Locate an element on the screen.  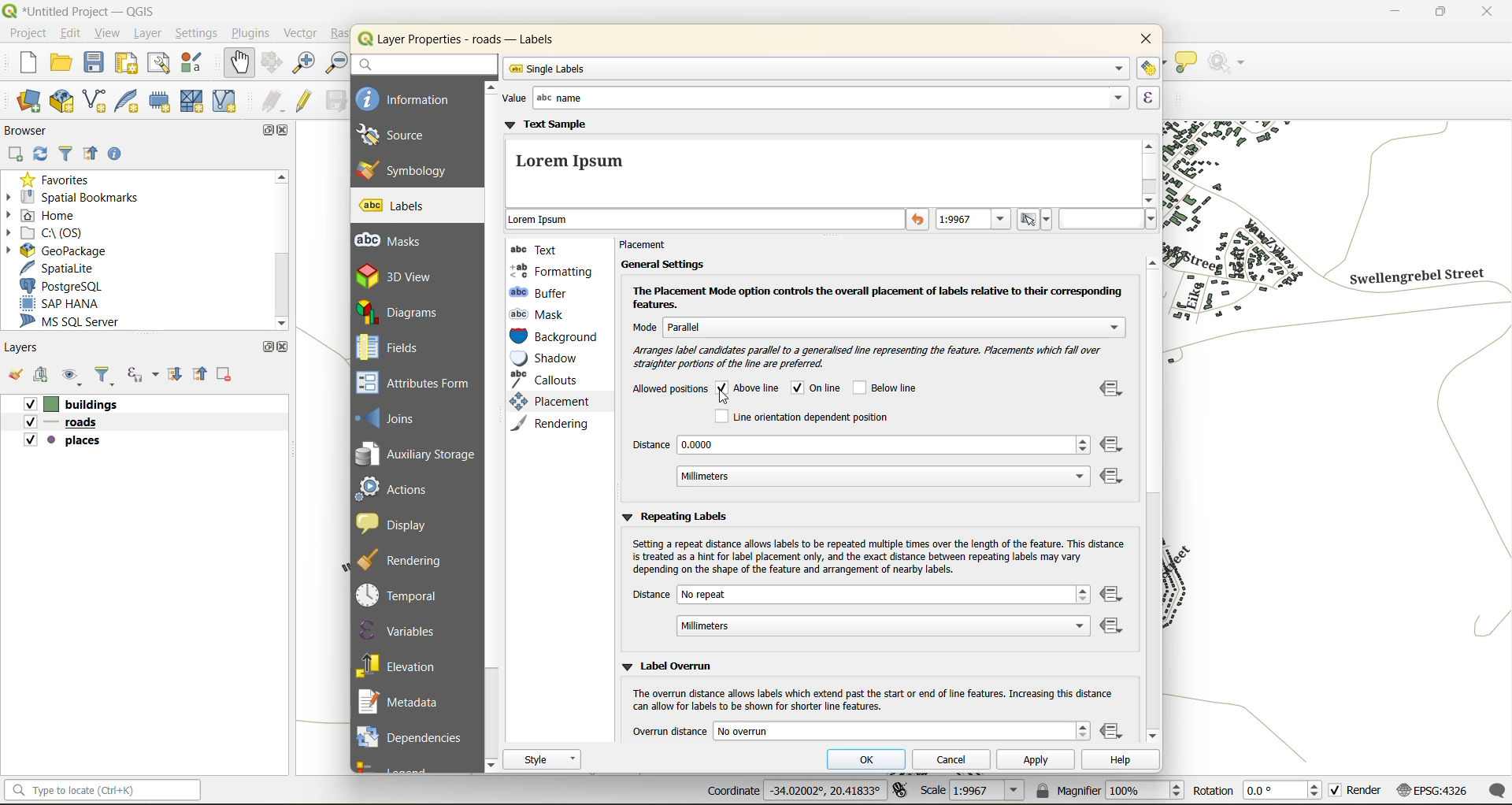
distance is located at coordinates (862, 462).